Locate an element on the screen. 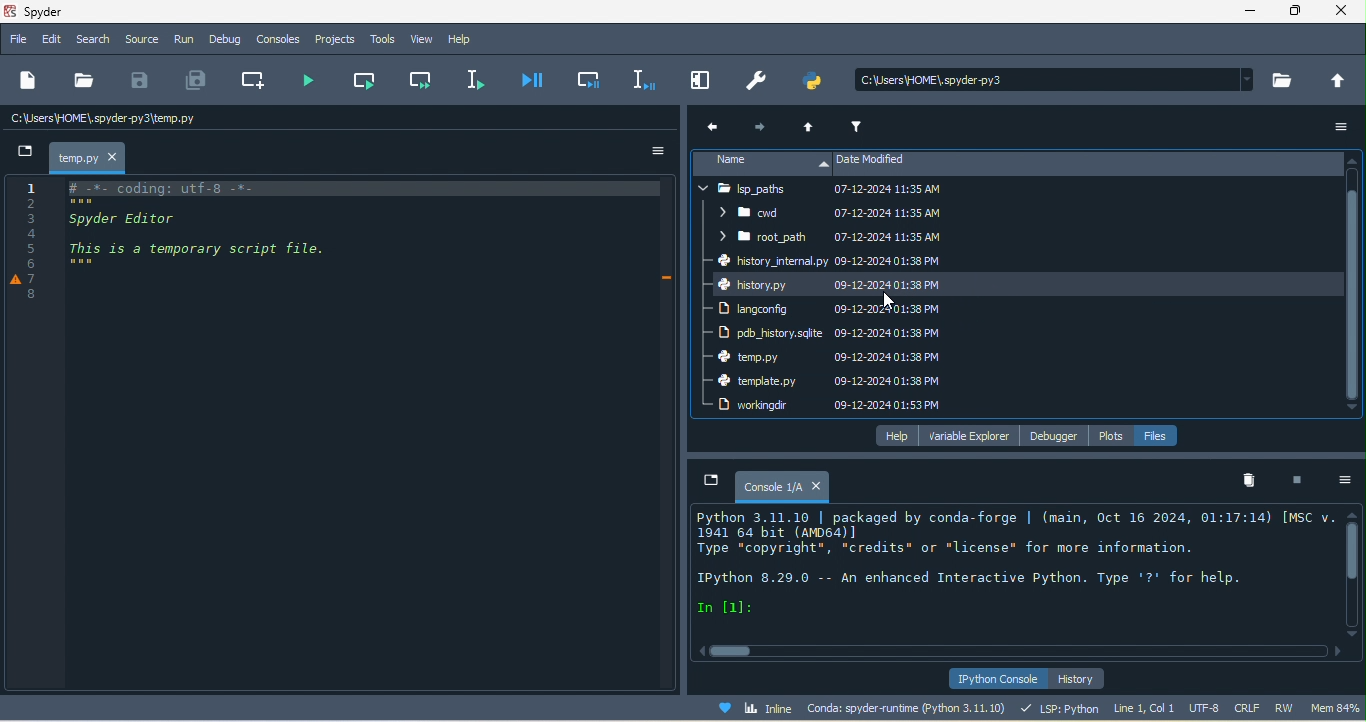  console is located at coordinates (275, 39).